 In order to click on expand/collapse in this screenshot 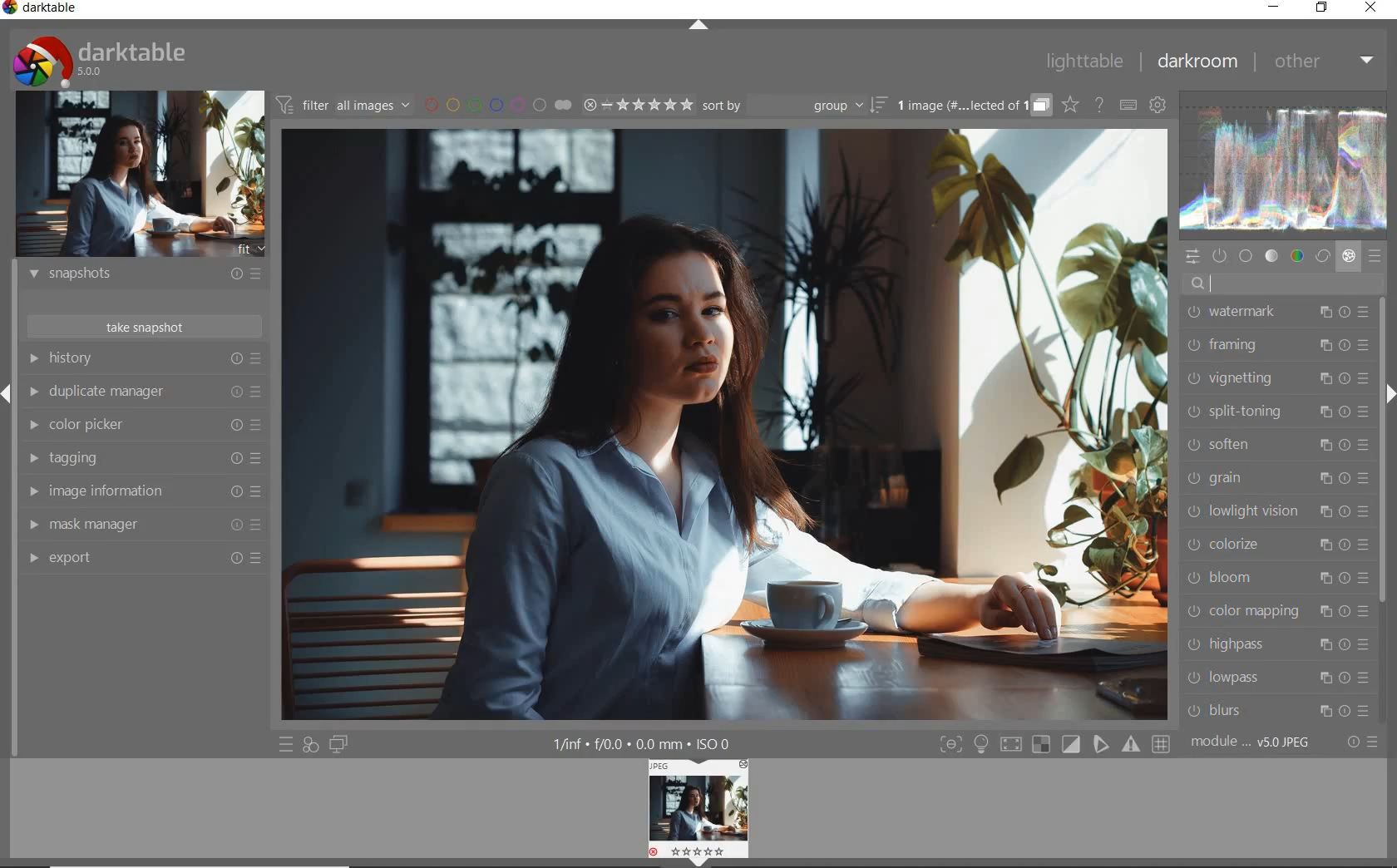, I will do `click(700, 21)`.